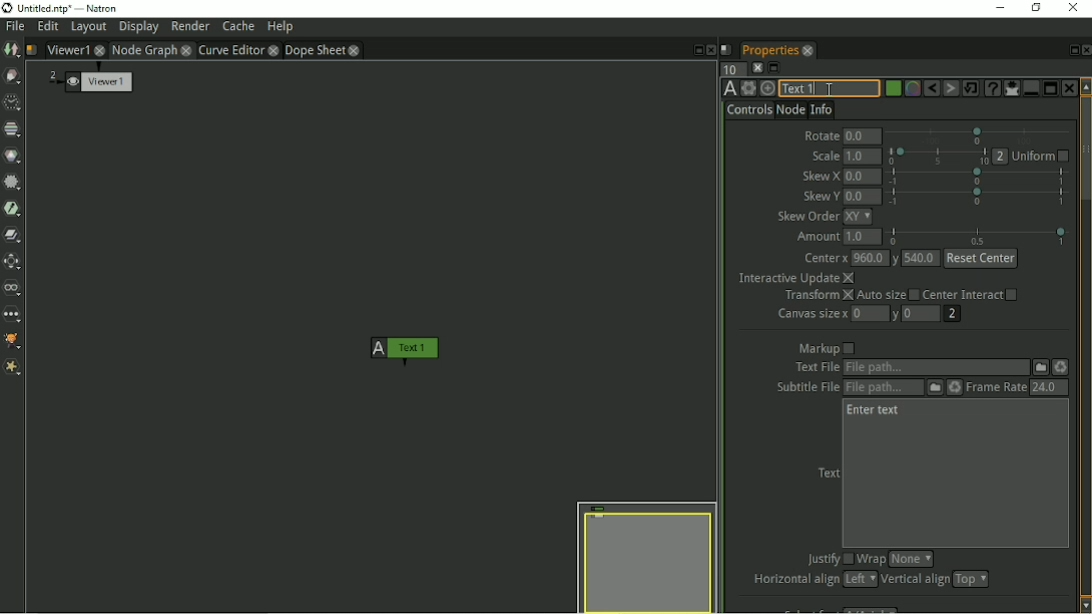  What do you see at coordinates (646, 556) in the screenshot?
I see `Preview` at bounding box center [646, 556].